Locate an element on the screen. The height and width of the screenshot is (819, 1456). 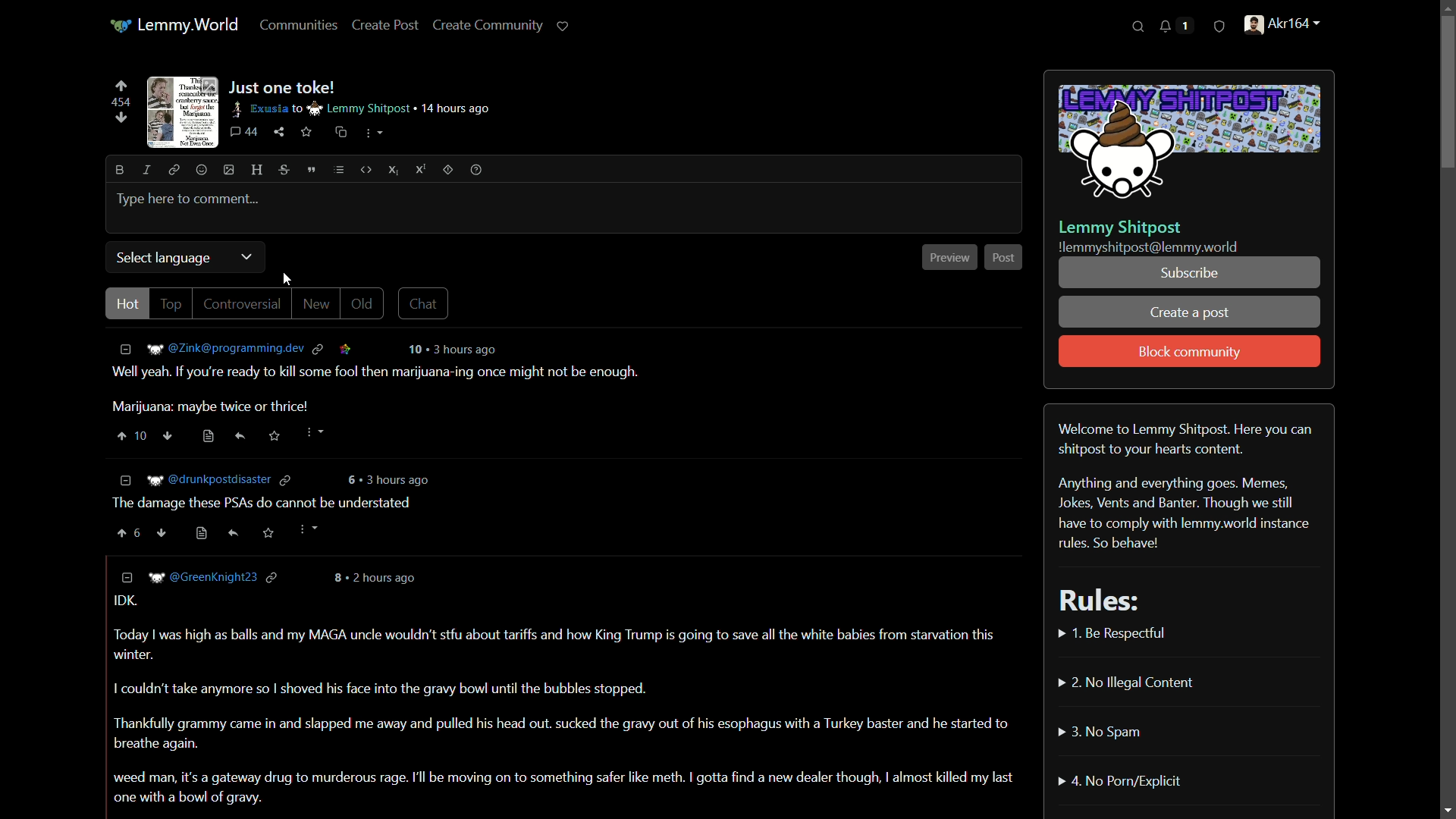
search  is located at coordinates (1140, 26).